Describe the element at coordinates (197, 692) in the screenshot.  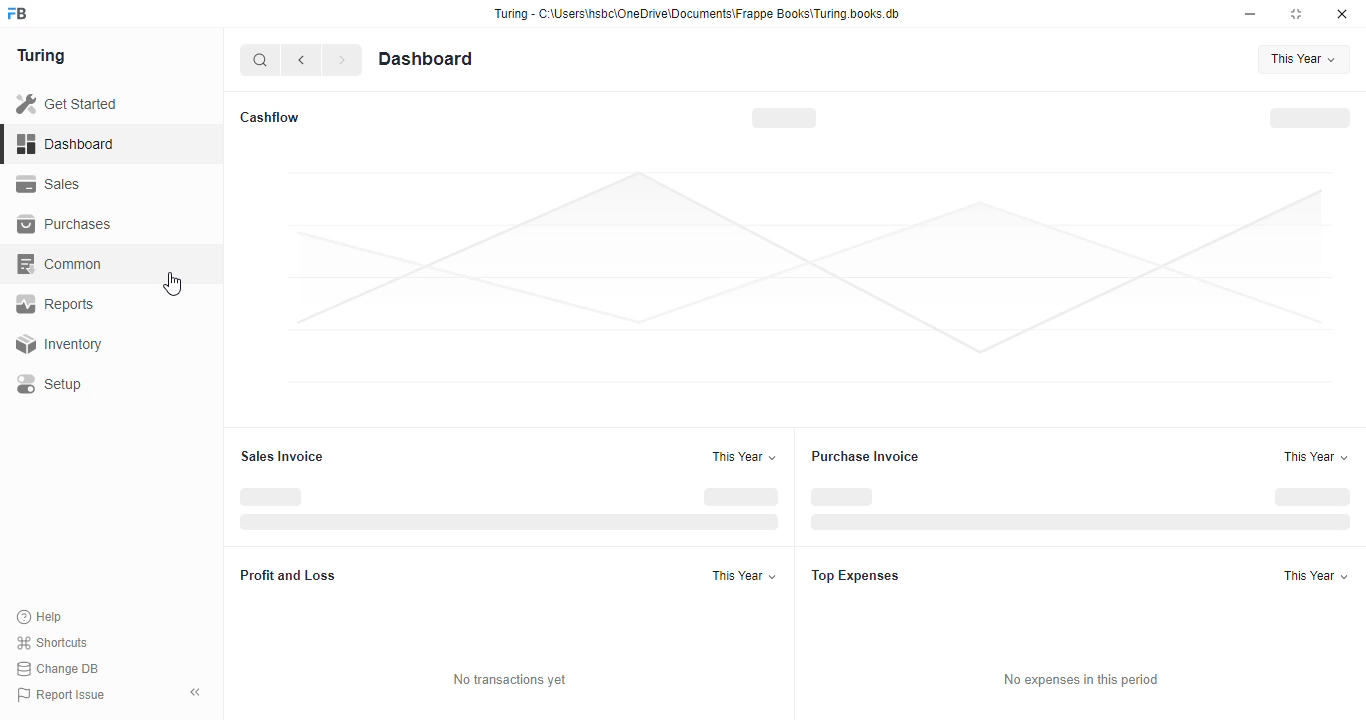
I see `toggle sidebar` at that location.